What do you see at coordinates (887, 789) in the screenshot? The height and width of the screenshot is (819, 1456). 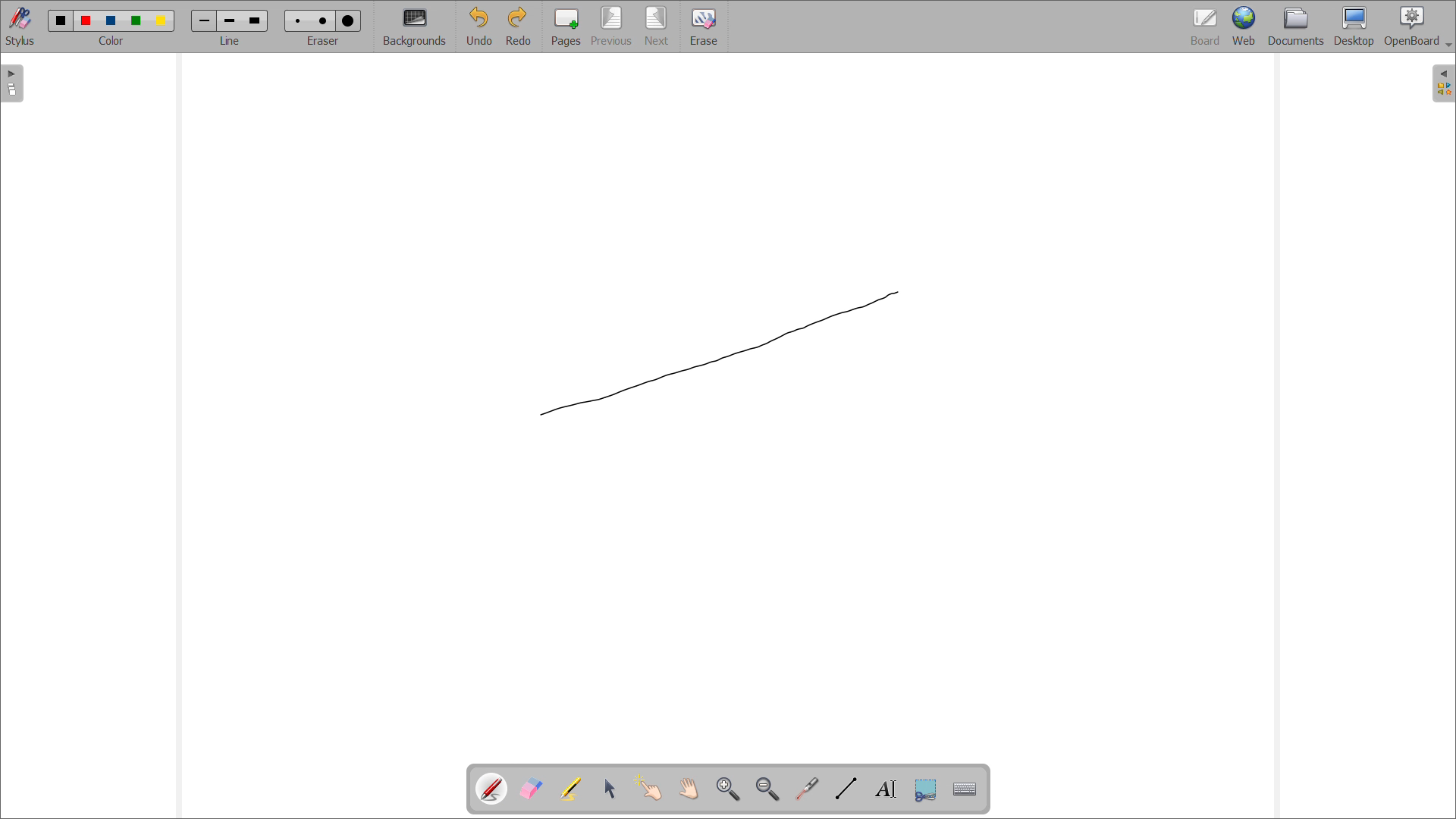 I see `draw text` at bounding box center [887, 789].